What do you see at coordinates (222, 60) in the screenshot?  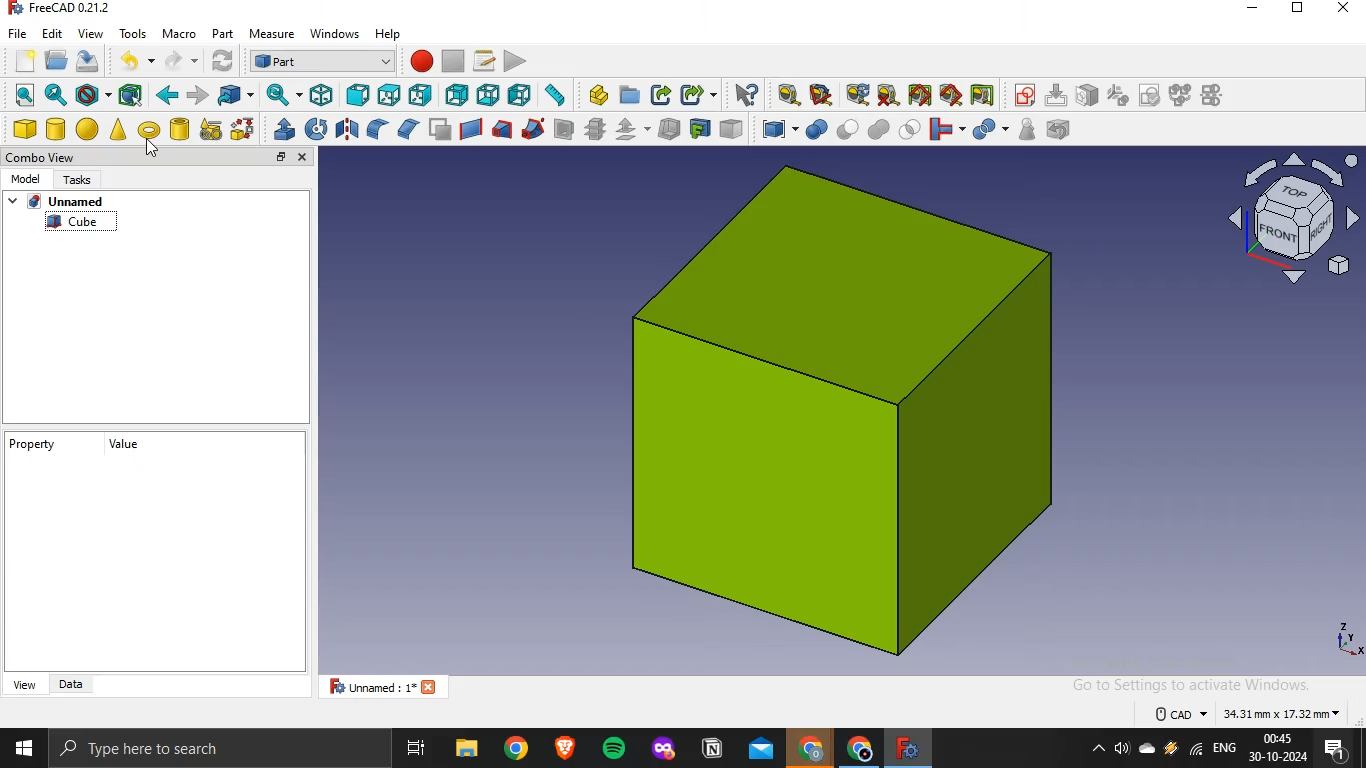 I see `refresh` at bounding box center [222, 60].